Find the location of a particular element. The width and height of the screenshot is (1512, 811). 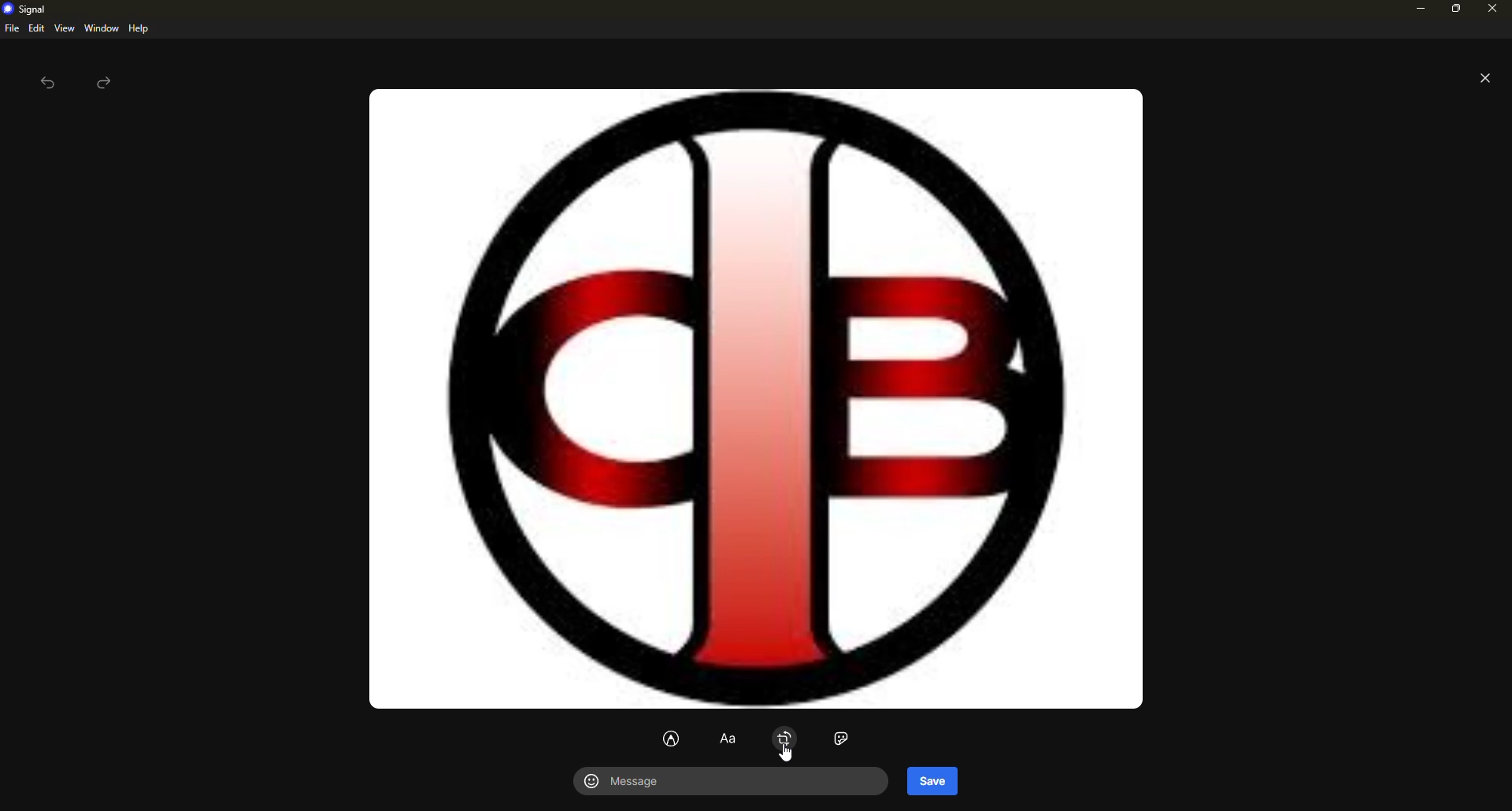

image is located at coordinates (758, 399).